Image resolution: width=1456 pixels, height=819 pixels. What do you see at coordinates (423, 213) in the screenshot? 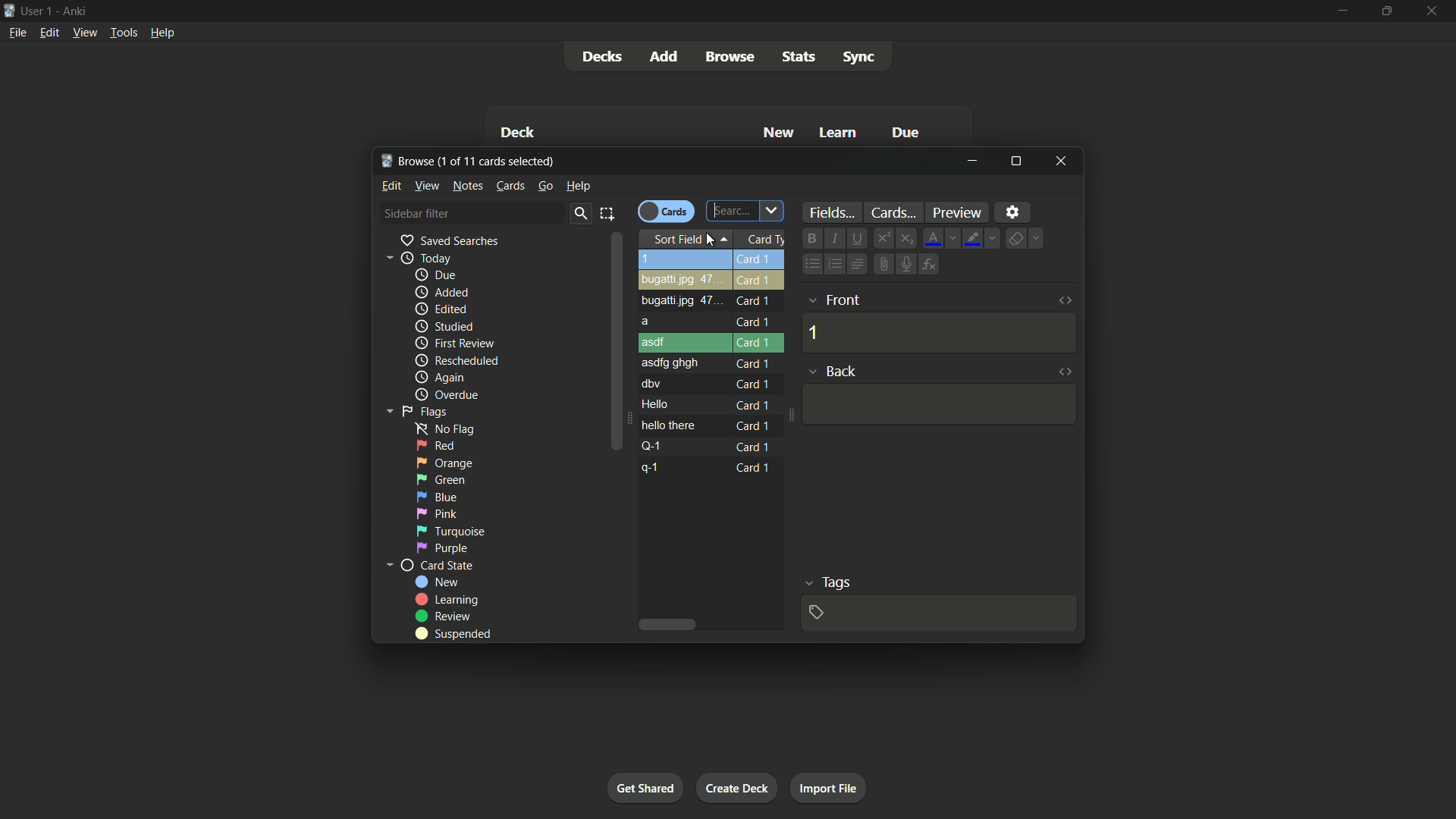
I see `sidebar filter` at bounding box center [423, 213].